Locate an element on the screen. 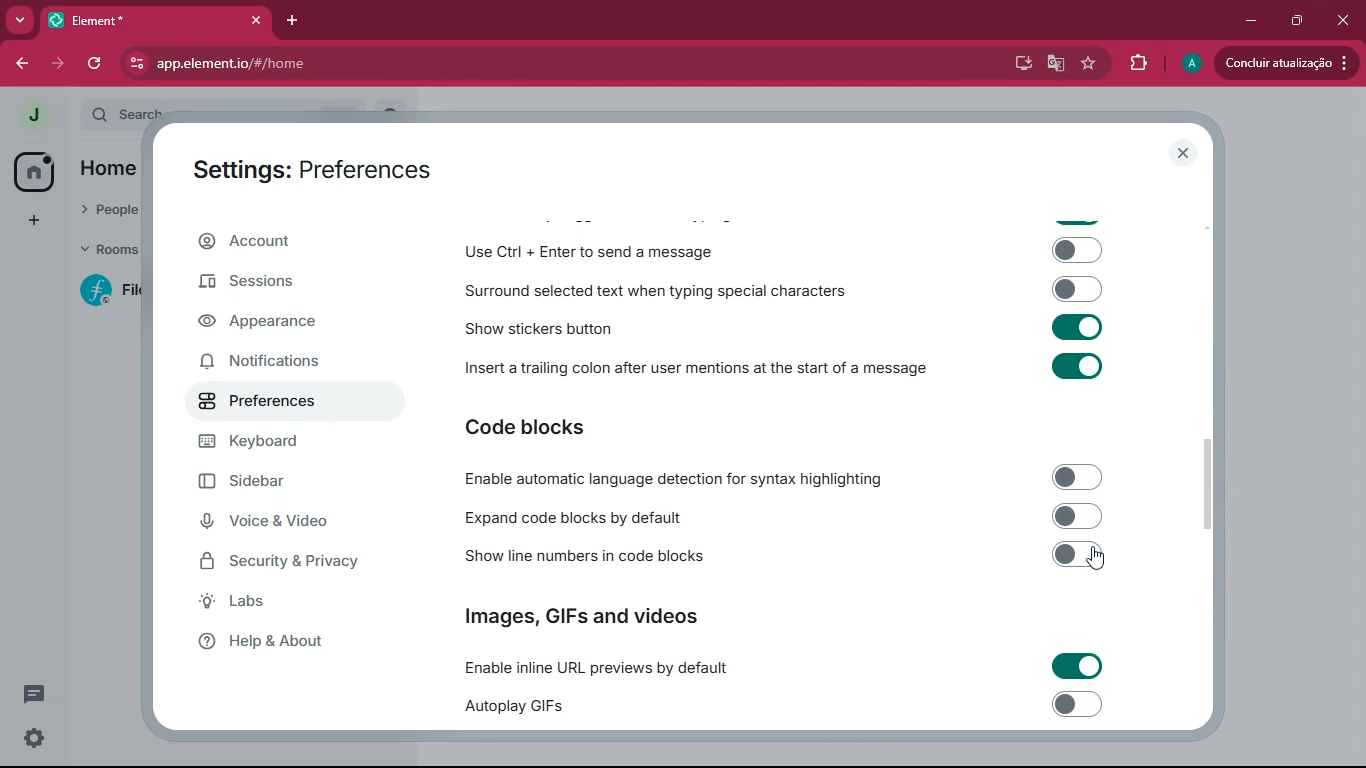 The height and width of the screenshot is (768, 1366). favourite is located at coordinates (1089, 64).